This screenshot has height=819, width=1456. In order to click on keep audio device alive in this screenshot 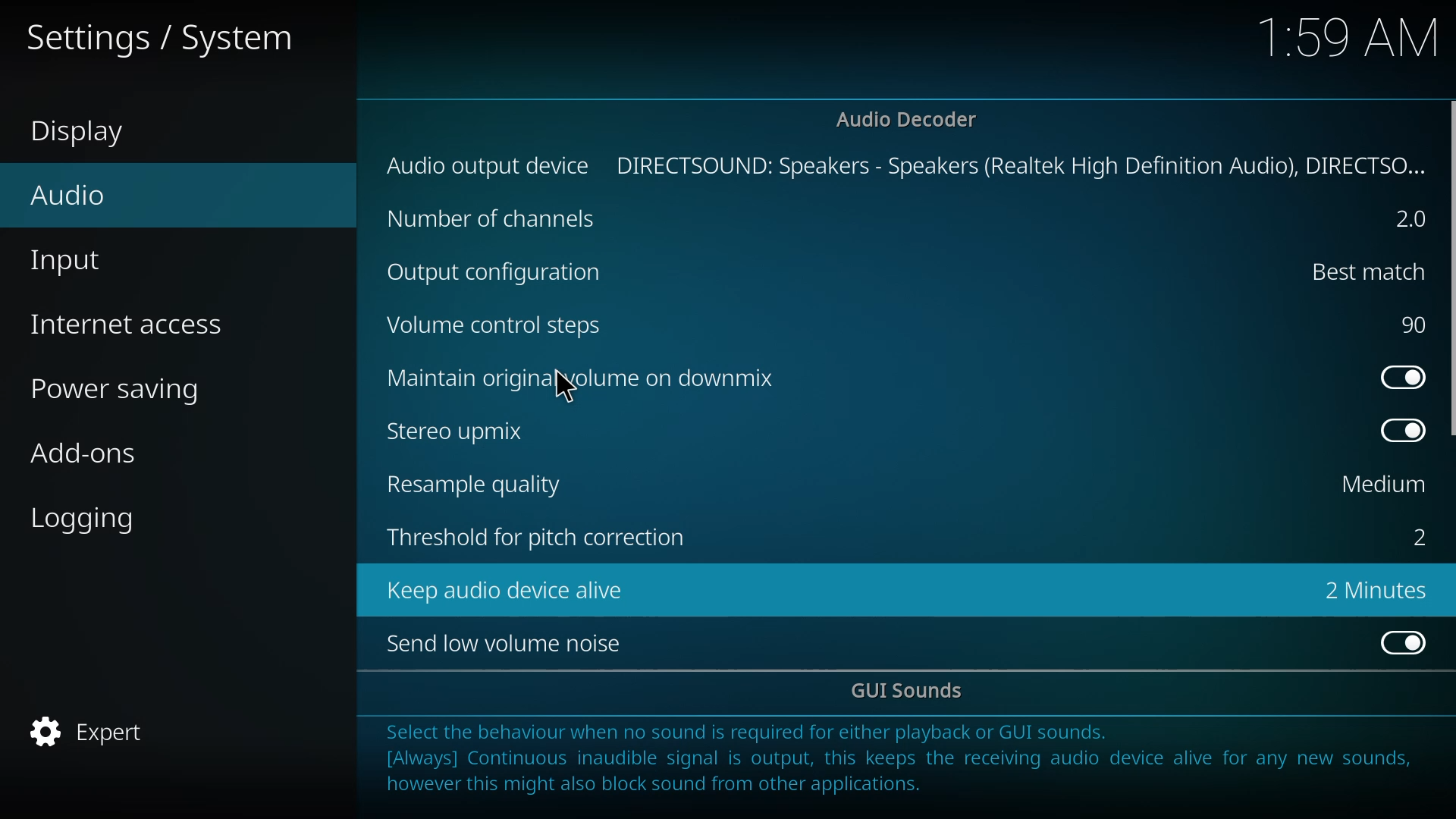, I will do `click(510, 589)`.